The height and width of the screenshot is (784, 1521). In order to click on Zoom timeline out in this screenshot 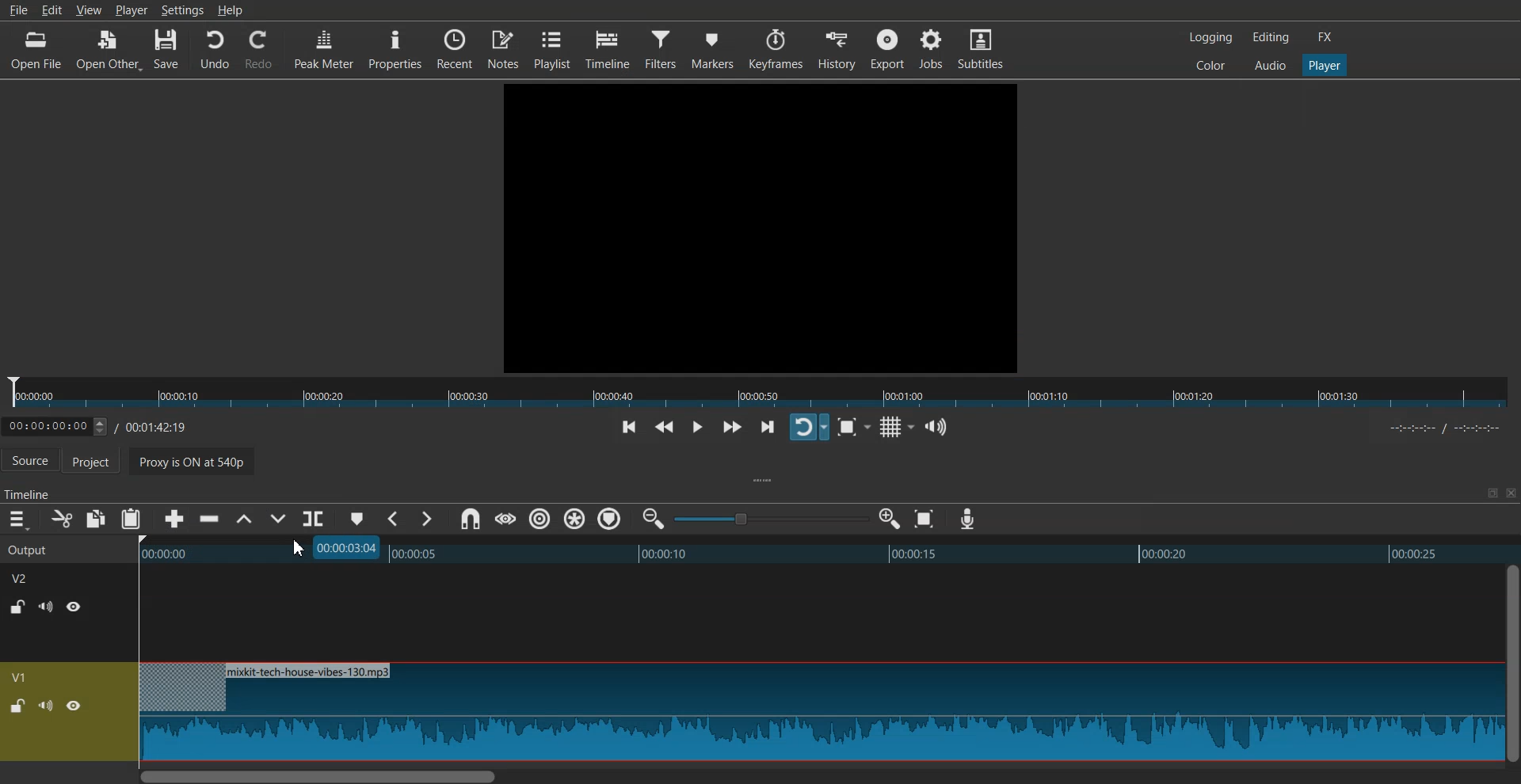, I will do `click(654, 518)`.